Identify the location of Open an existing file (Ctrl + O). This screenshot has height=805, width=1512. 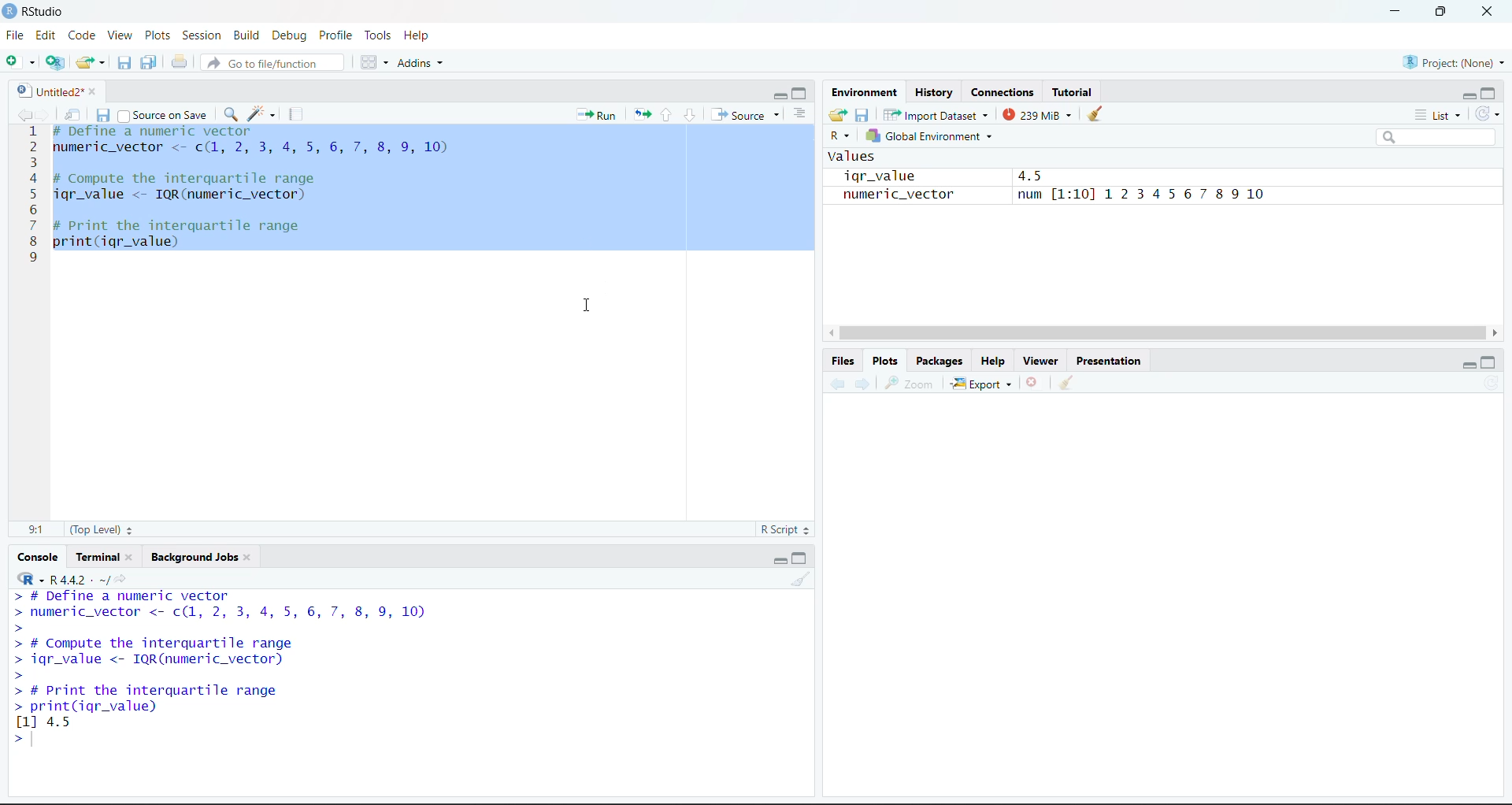
(91, 60).